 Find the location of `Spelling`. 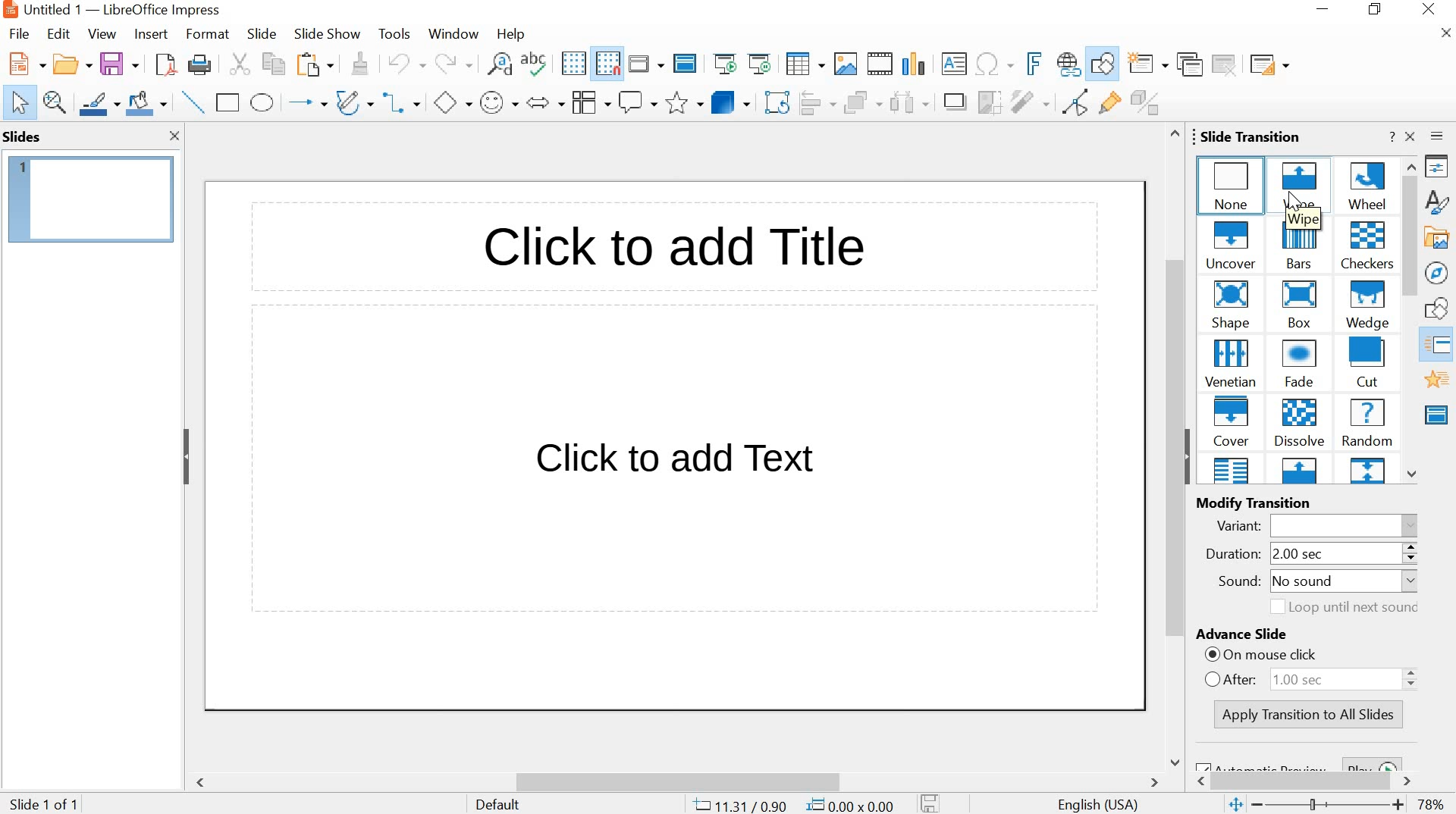

Spelling is located at coordinates (536, 63).